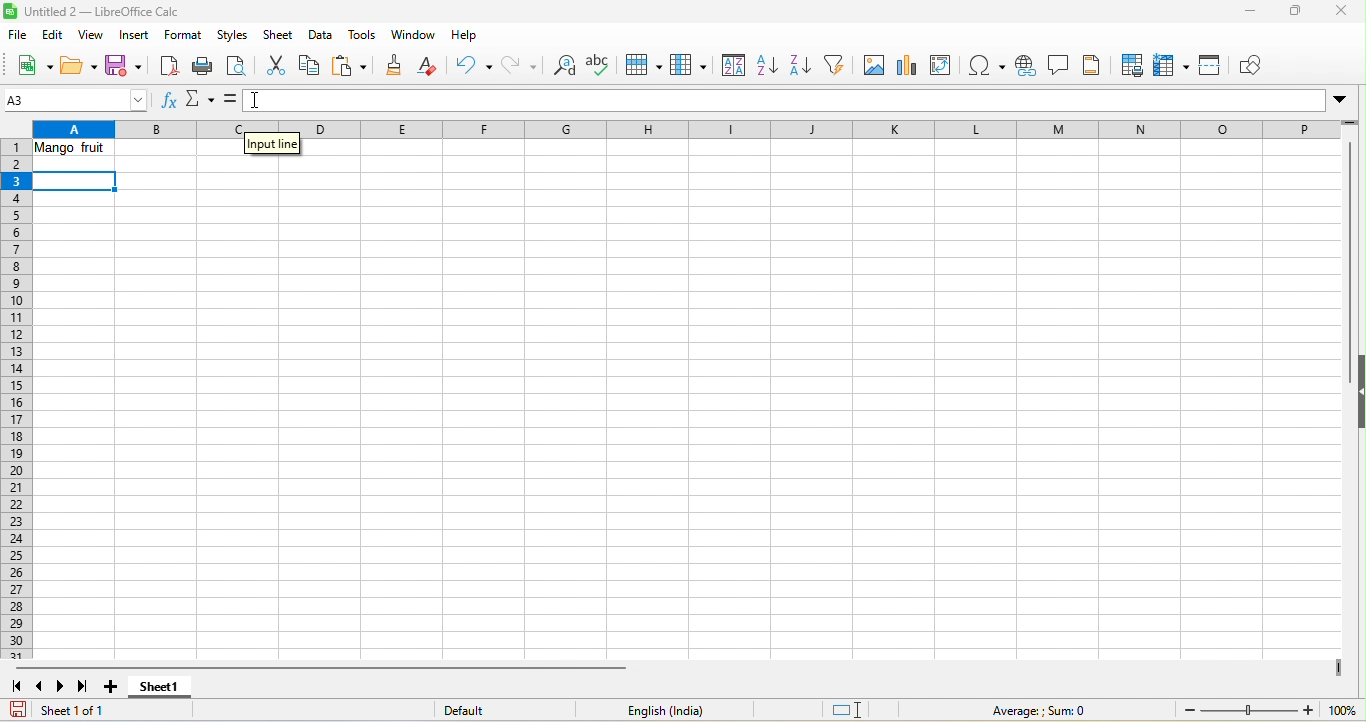  Describe the element at coordinates (1129, 64) in the screenshot. I see `print area` at that location.